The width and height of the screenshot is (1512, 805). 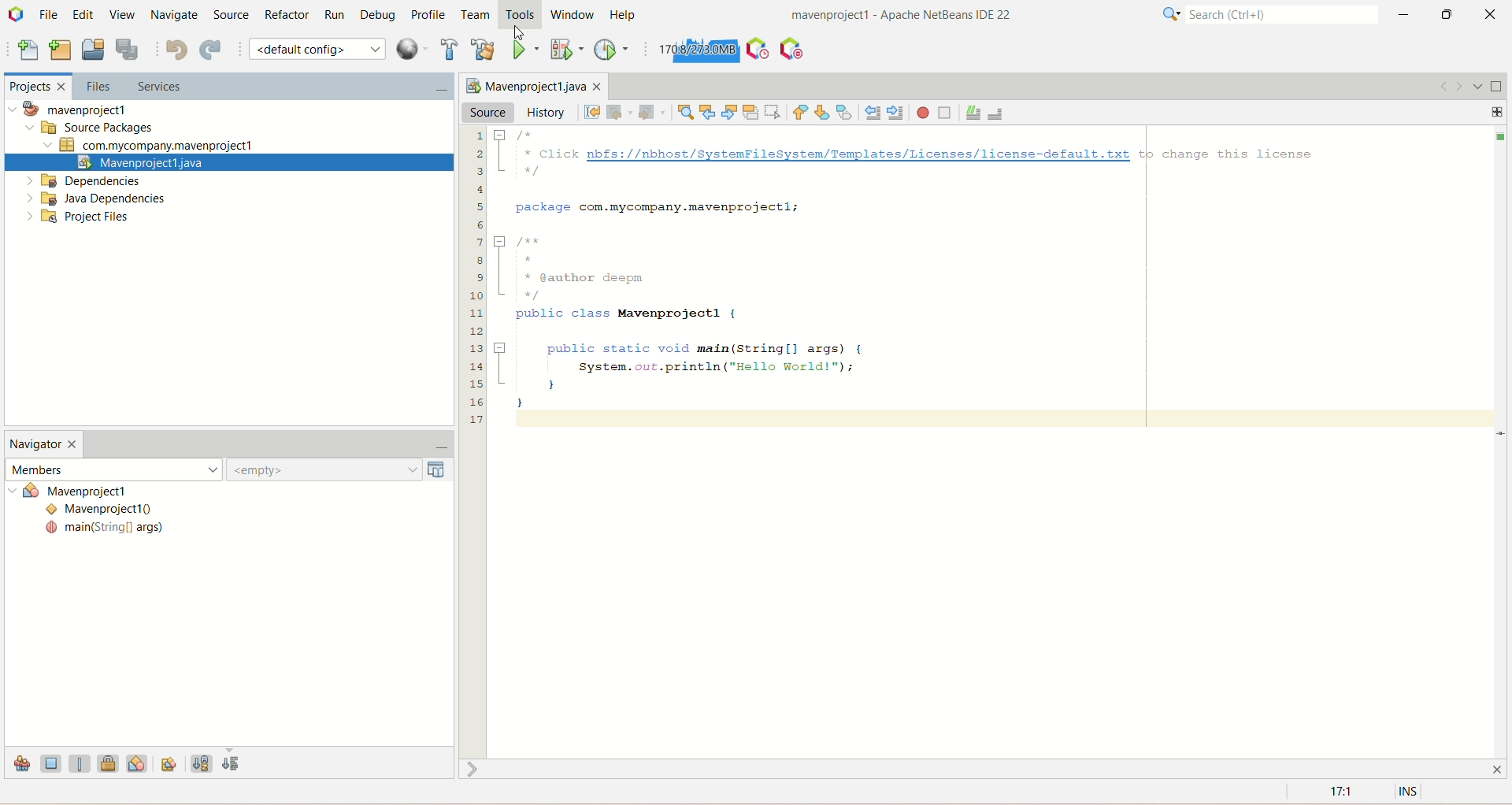 I want to click on source, so click(x=489, y=110).